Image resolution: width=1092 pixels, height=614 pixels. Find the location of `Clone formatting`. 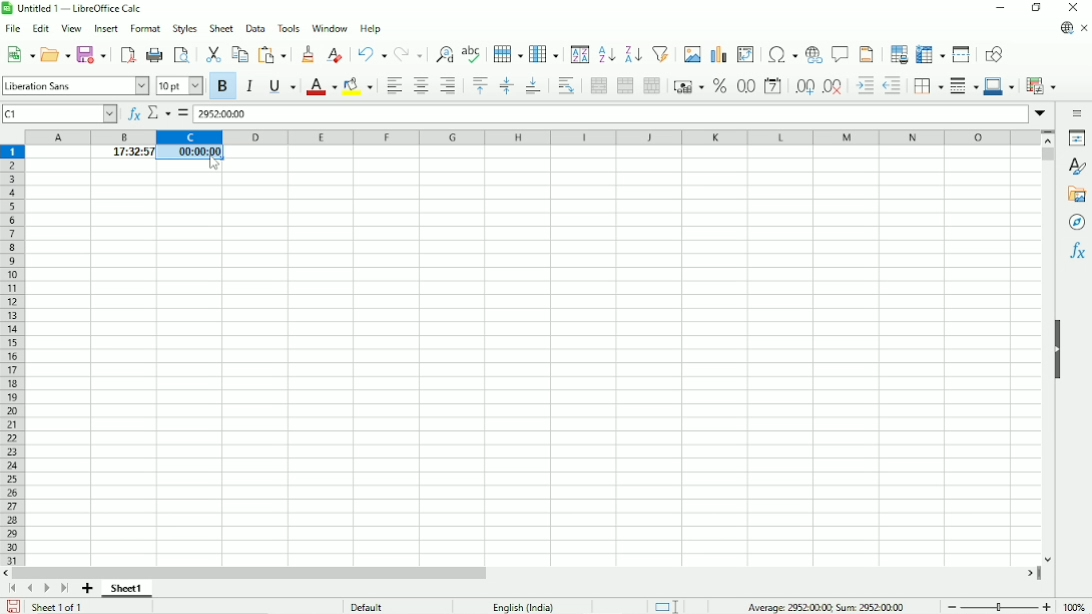

Clone formatting is located at coordinates (306, 56).